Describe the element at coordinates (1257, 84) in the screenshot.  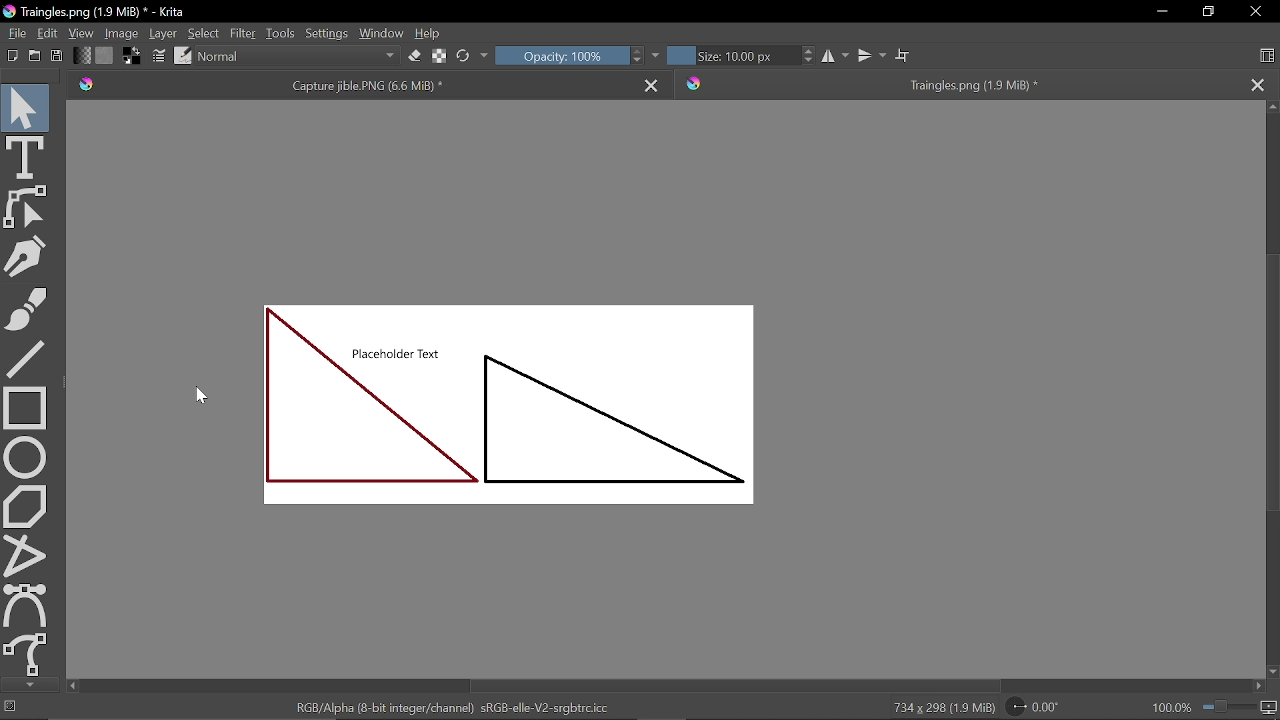
I see `Close other tab` at that location.